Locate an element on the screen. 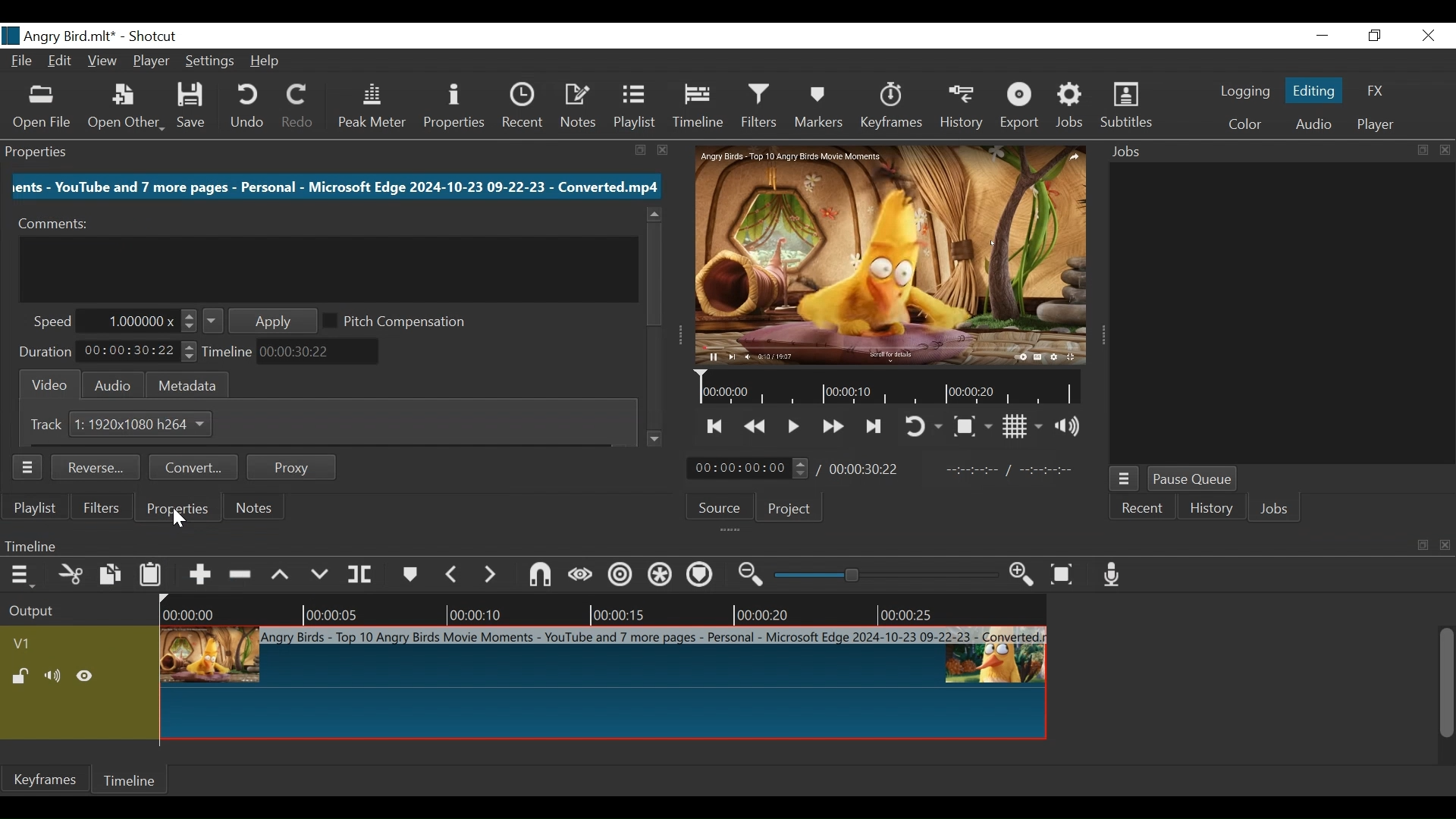 The image size is (1456, 819). View is located at coordinates (102, 61).